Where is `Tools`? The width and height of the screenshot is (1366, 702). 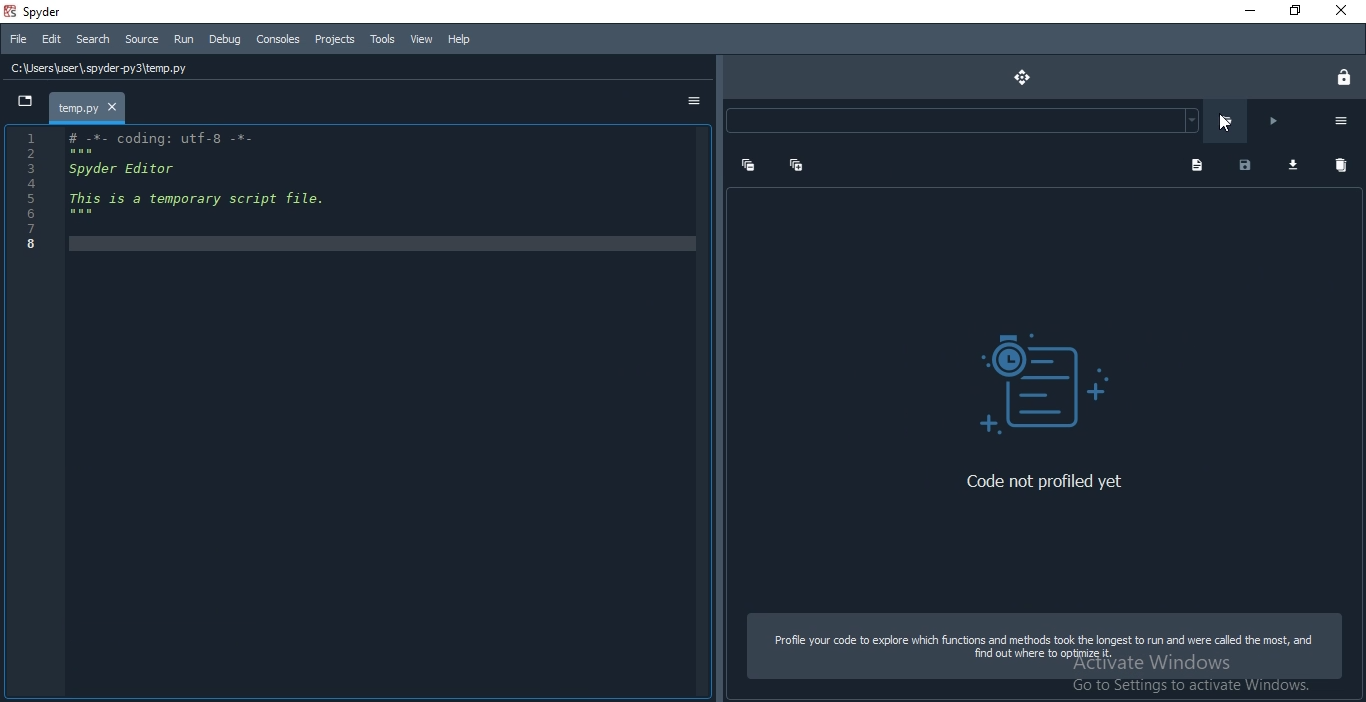
Tools is located at coordinates (381, 39).